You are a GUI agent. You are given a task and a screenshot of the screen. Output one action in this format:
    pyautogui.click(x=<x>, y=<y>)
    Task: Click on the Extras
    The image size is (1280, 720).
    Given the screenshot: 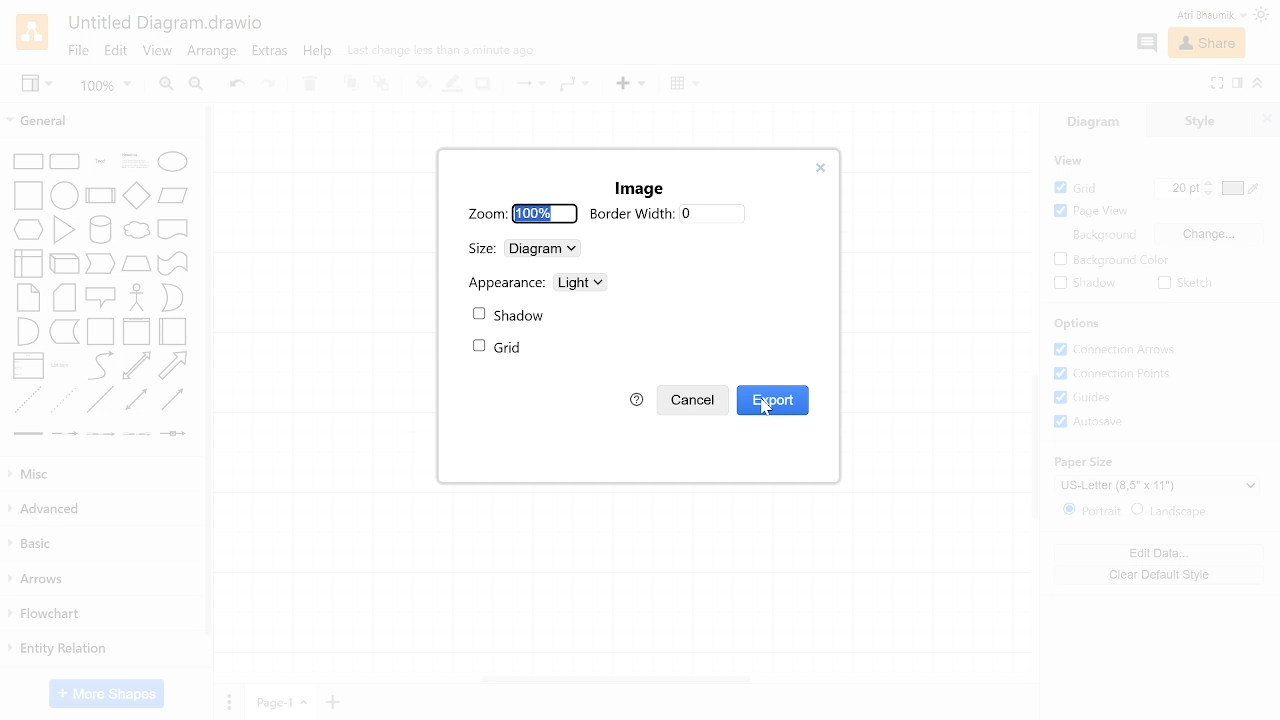 What is the action you would take?
    pyautogui.click(x=270, y=52)
    